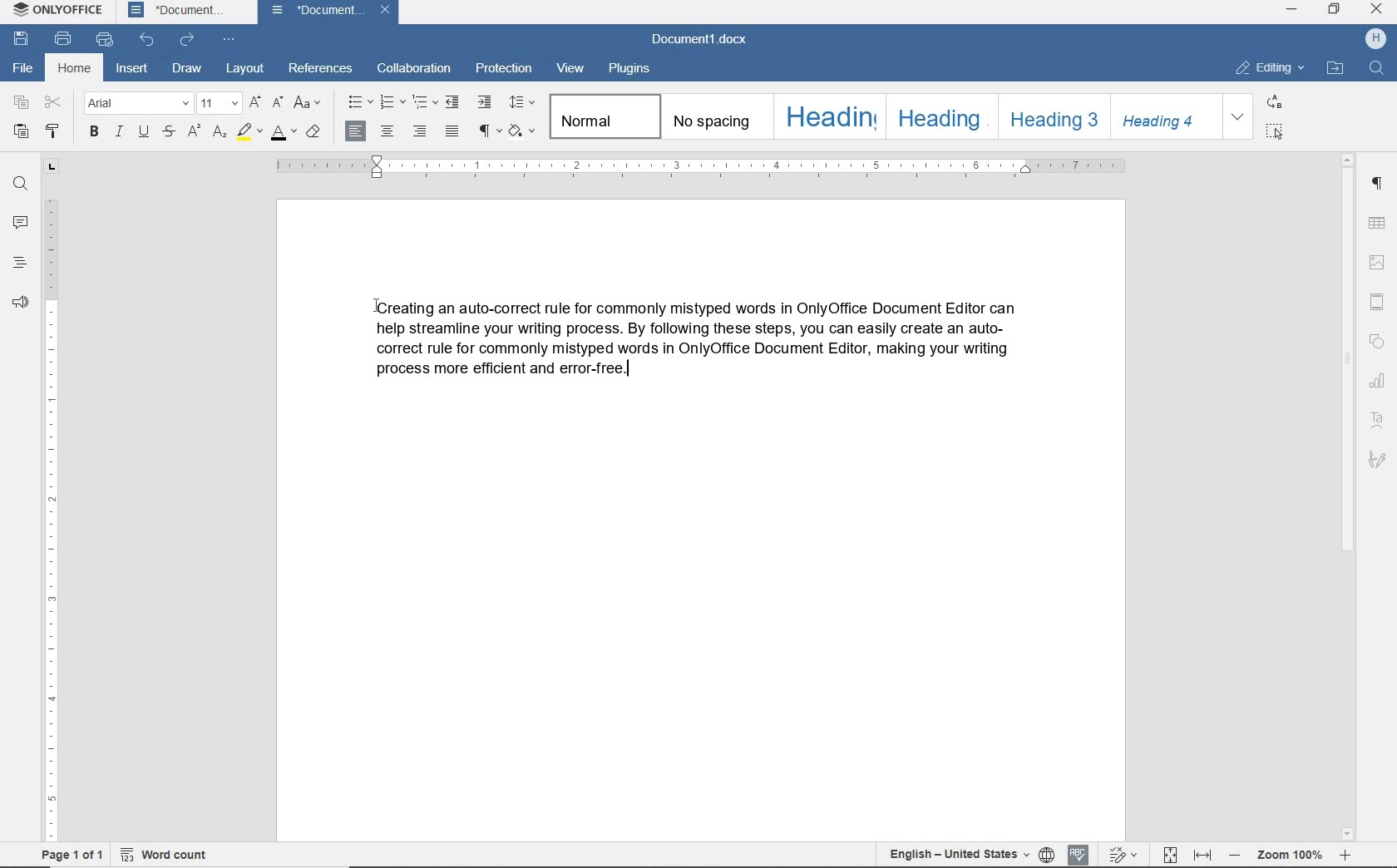  I want to click on underline, so click(141, 131).